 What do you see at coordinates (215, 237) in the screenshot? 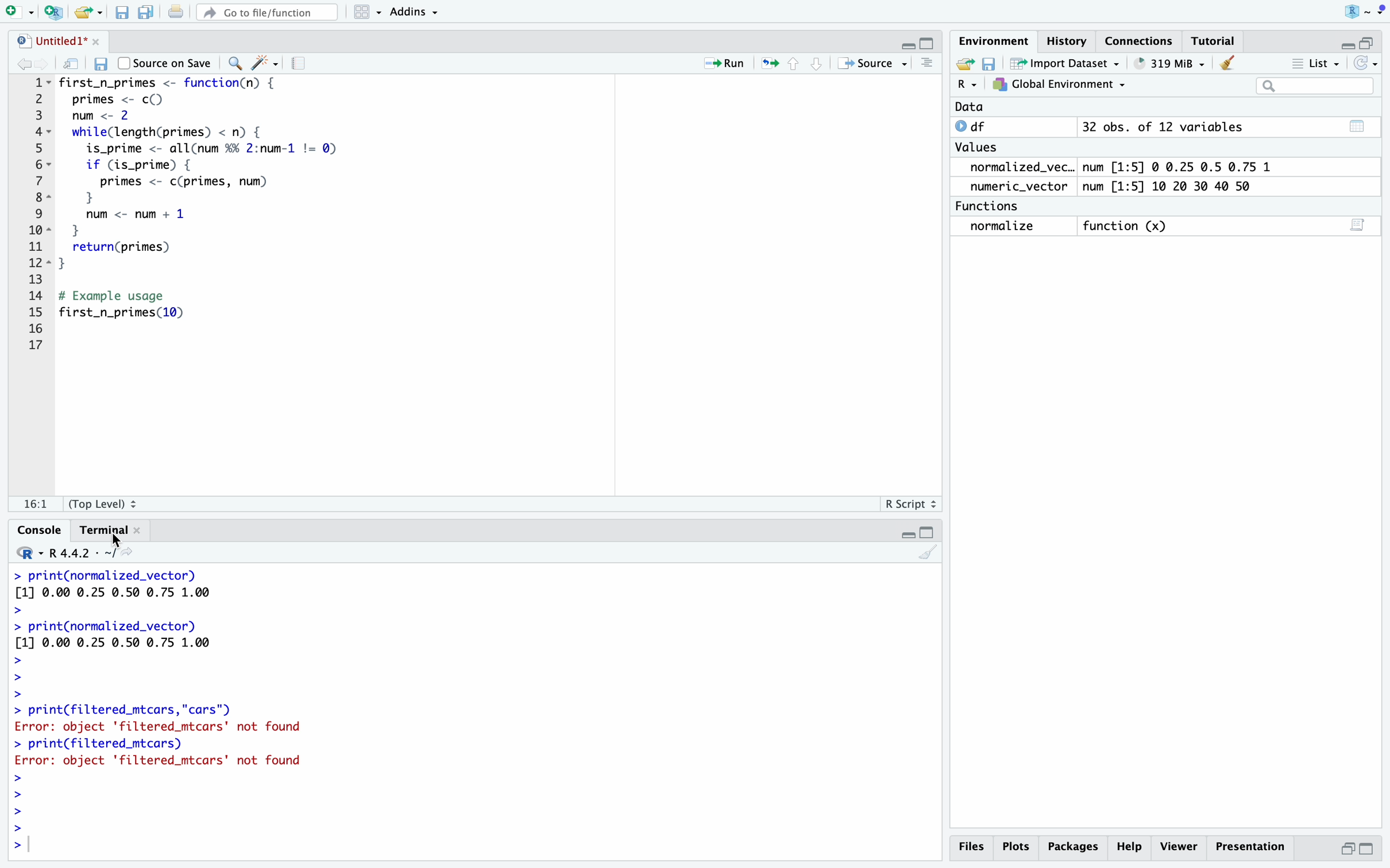
I see `1~- first_n_primes <- function(n) {
2 primes <- c()

3 num <- 2

4~ while(length(primes) < n) {
5 is_prime <- allCnum %% 2:num-1 != Q)
6~ if (is_prime) {

7 primes <- c(primes, num)
BE }

©) num <- num + 1

iol 1

11 return(primes)

28s] }

13

14 # Example usage

15 first_n_primes(10)

16

17` at bounding box center [215, 237].